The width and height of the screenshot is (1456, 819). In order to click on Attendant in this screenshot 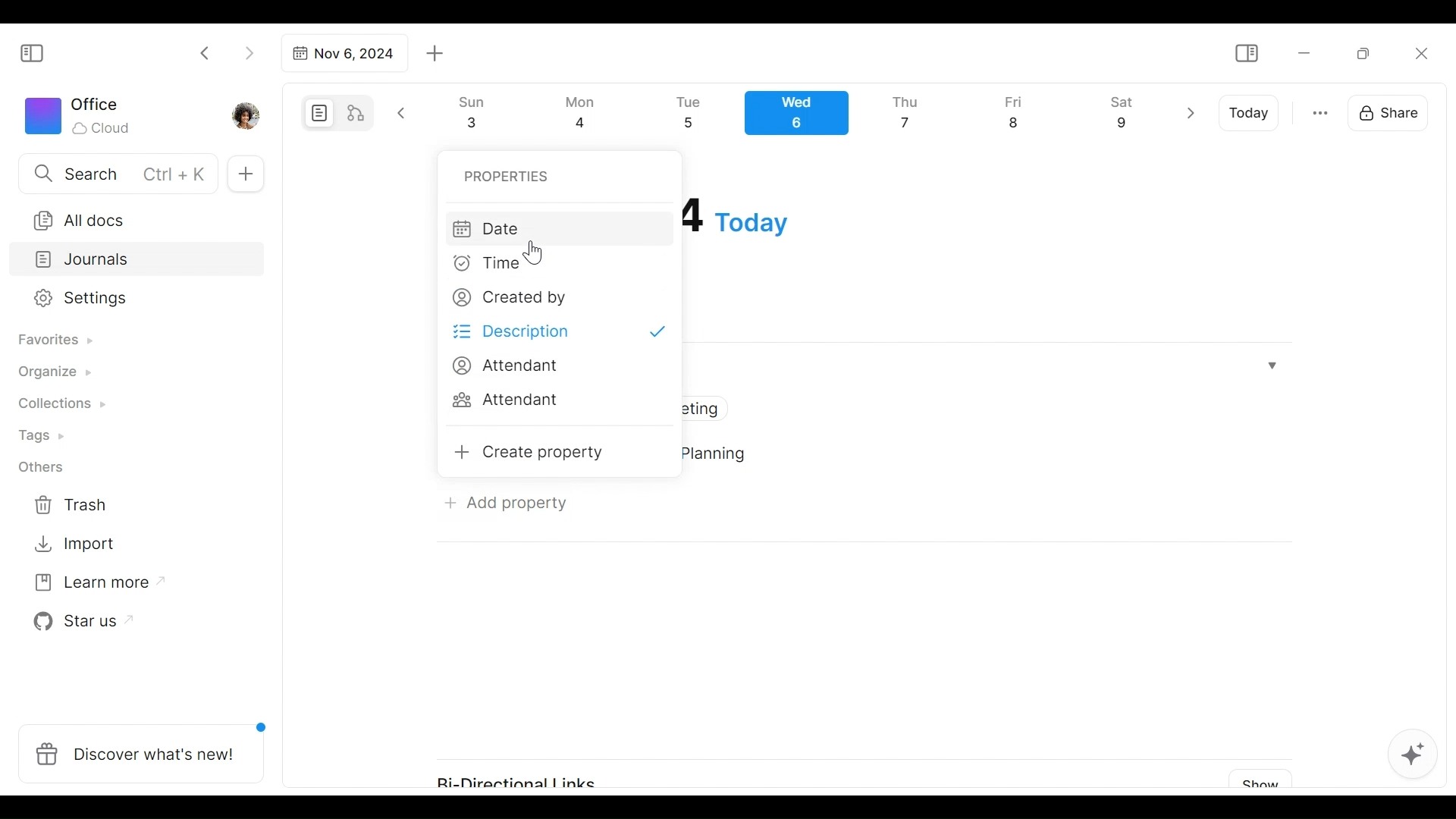, I will do `click(506, 366)`.